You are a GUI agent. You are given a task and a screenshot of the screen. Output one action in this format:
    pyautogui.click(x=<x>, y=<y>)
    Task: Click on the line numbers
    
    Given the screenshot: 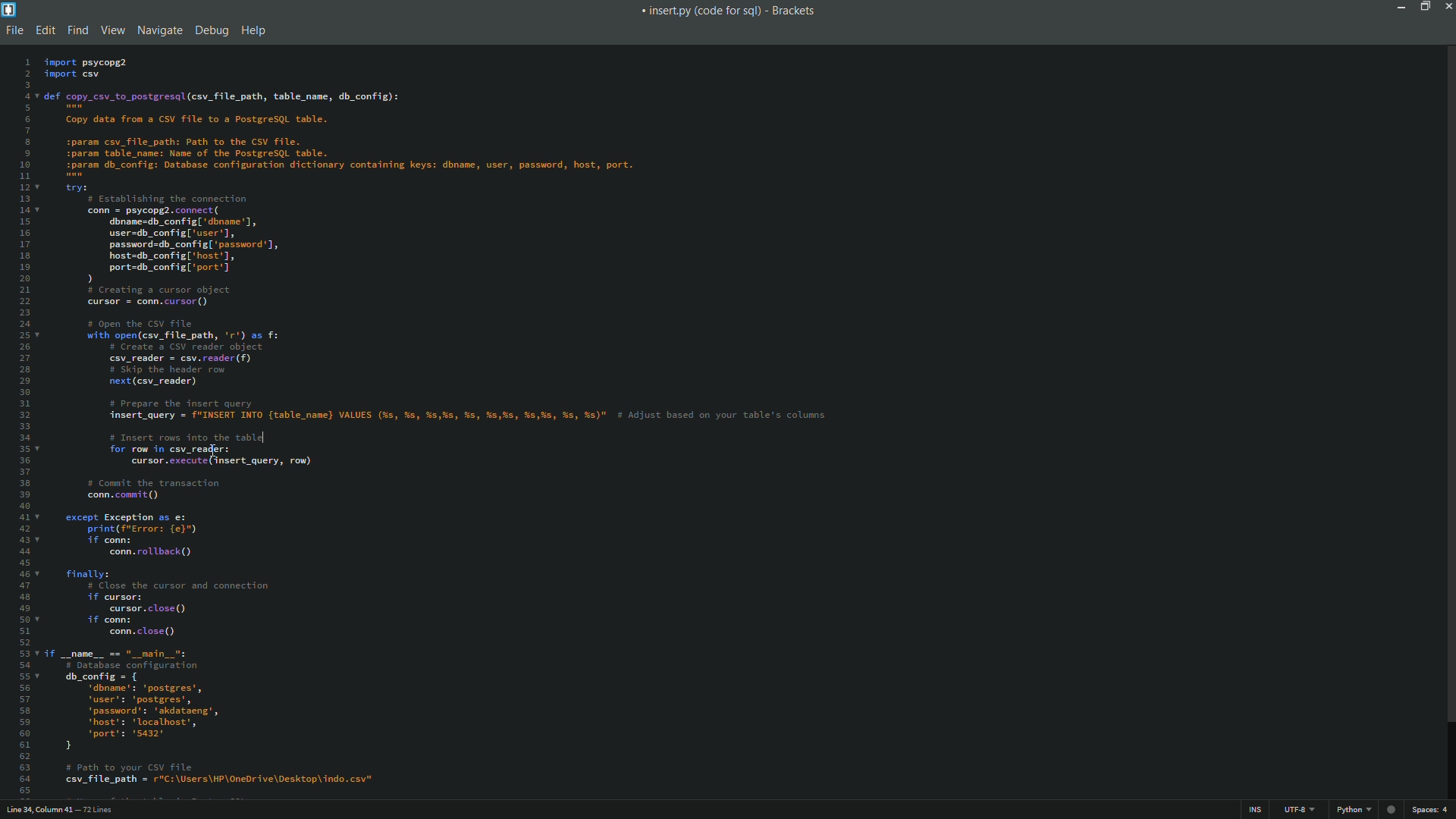 What is the action you would take?
    pyautogui.click(x=22, y=424)
    